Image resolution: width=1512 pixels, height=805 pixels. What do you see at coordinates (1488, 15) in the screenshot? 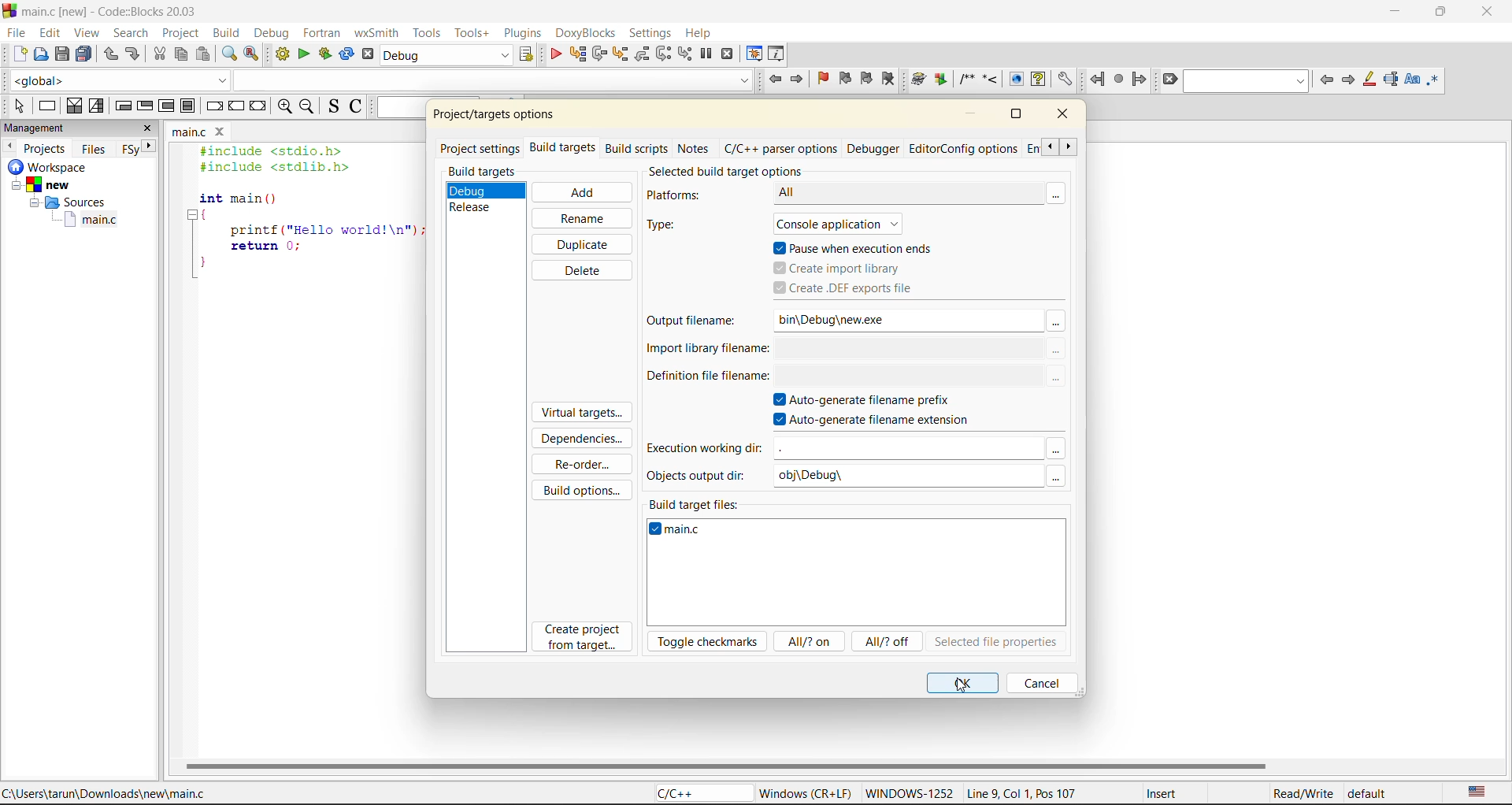
I see `close` at bounding box center [1488, 15].